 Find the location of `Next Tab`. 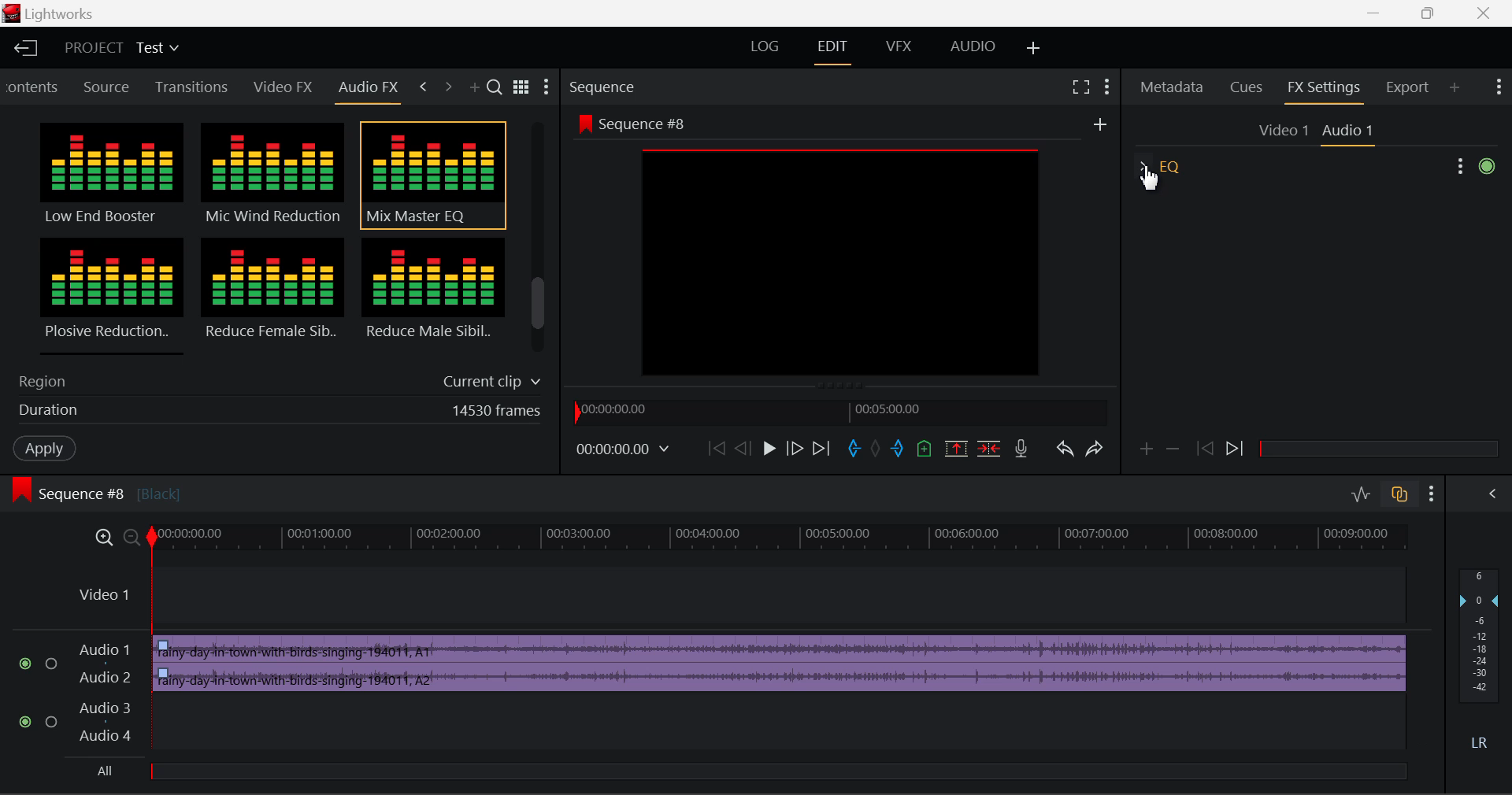

Next Tab is located at coordinates (447, 85).